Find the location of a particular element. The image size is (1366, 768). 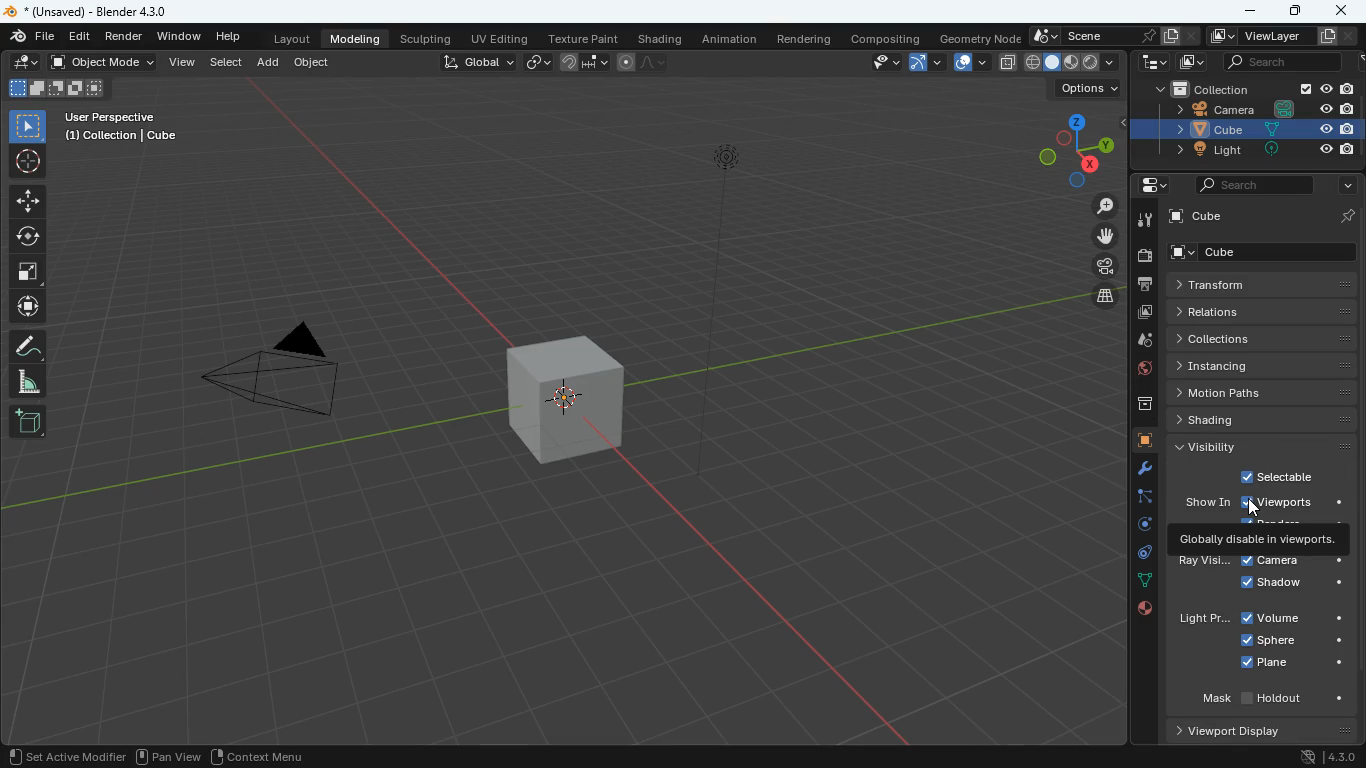

version is located at coordinates (1330, 754).